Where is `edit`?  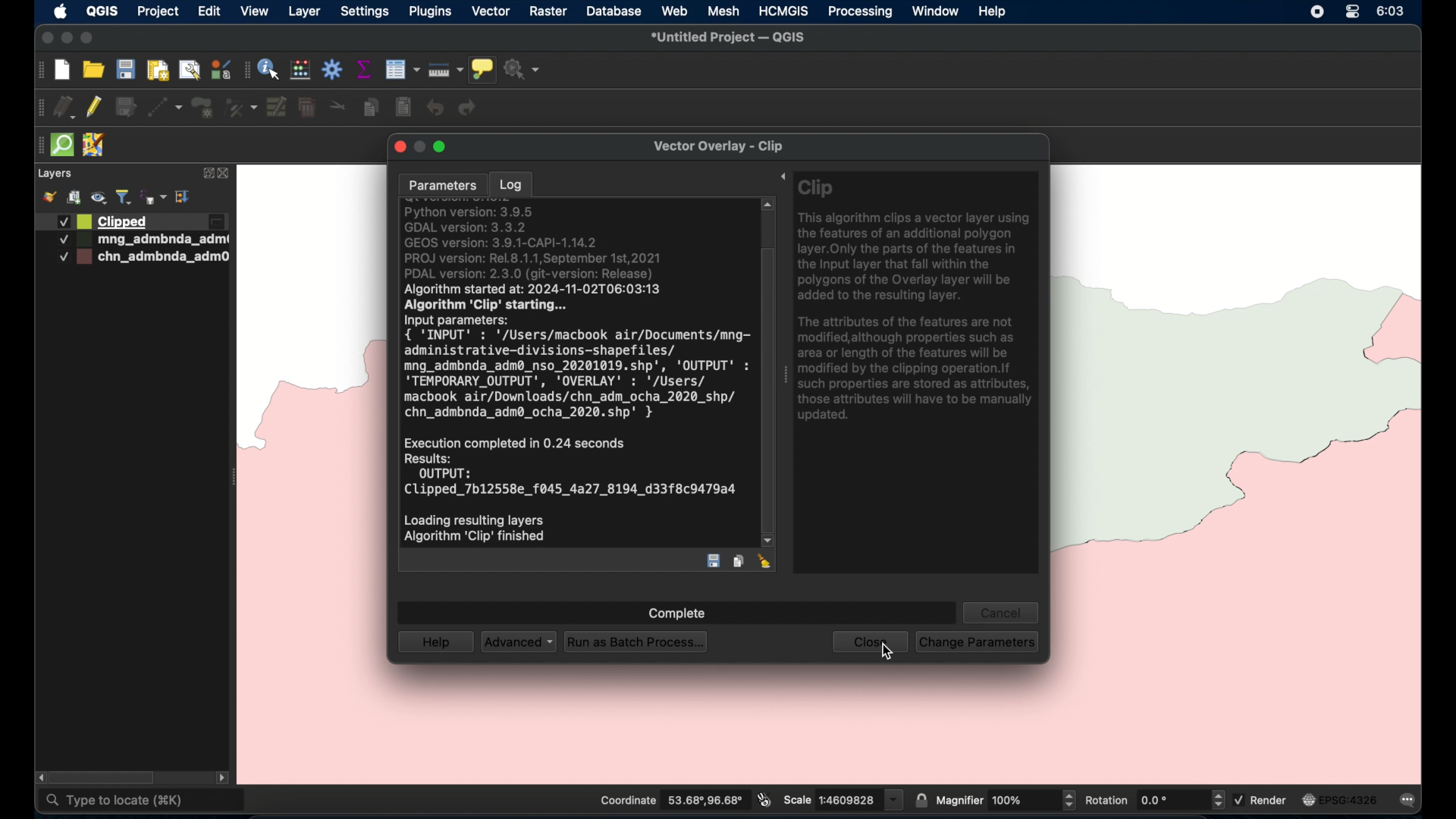 edit is located at coordinates (209, 11).